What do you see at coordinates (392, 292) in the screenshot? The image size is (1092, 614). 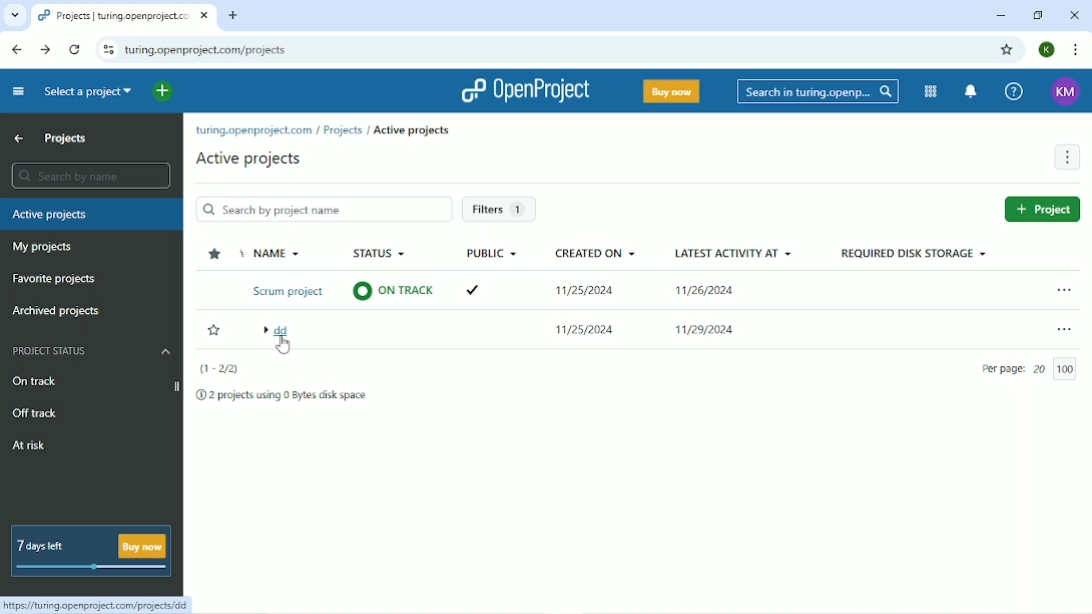 I see `on track` at bounding box center [392, 292].